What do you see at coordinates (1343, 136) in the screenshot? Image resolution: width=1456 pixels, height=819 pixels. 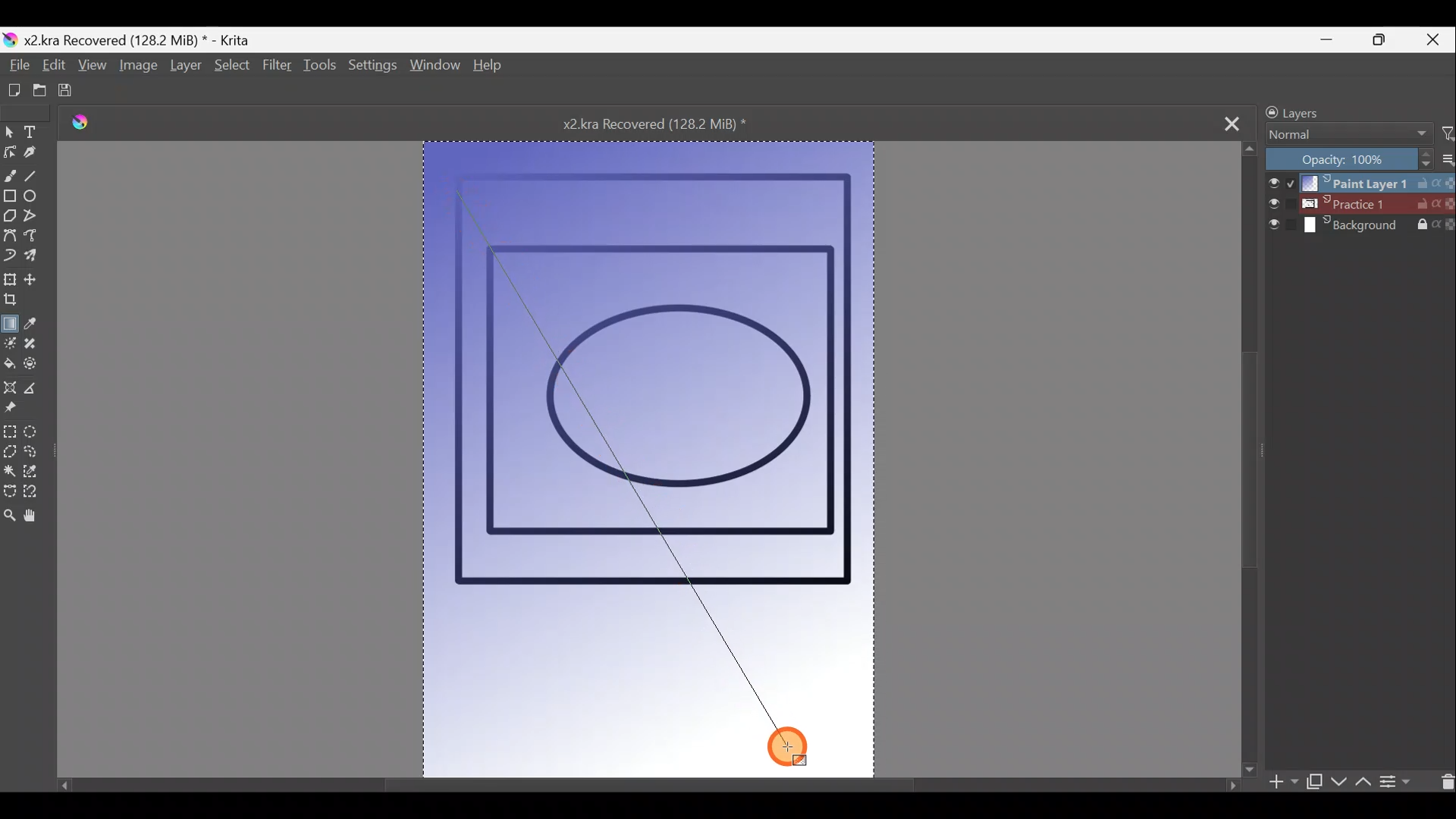 I see `Blending mode` at bounding box center [1343, 136].